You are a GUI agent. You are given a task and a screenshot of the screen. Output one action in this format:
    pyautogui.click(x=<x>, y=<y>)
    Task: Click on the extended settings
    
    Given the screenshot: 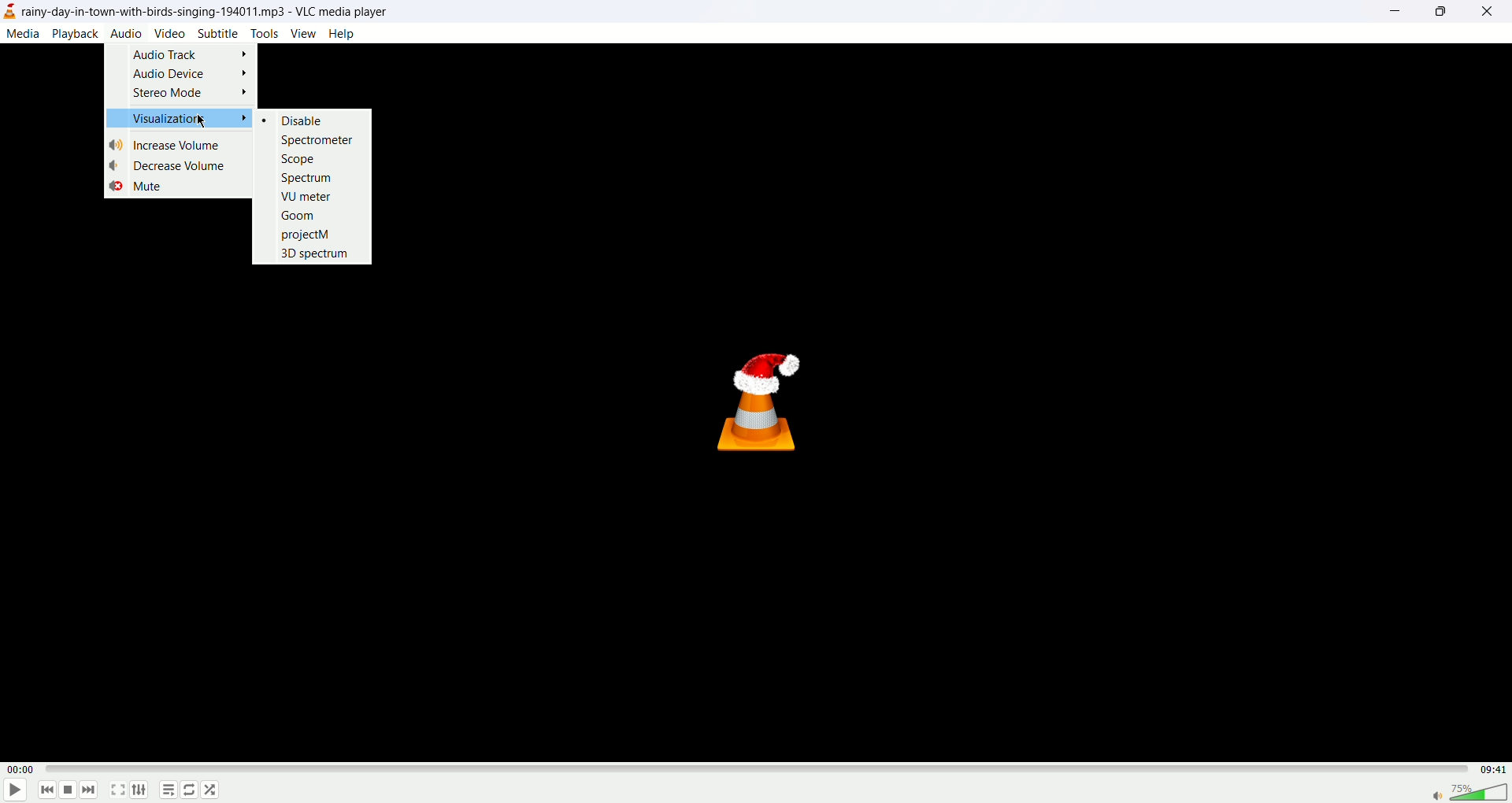 What is the action you would take?
    pyautogui.click(x=145, y=791)
    